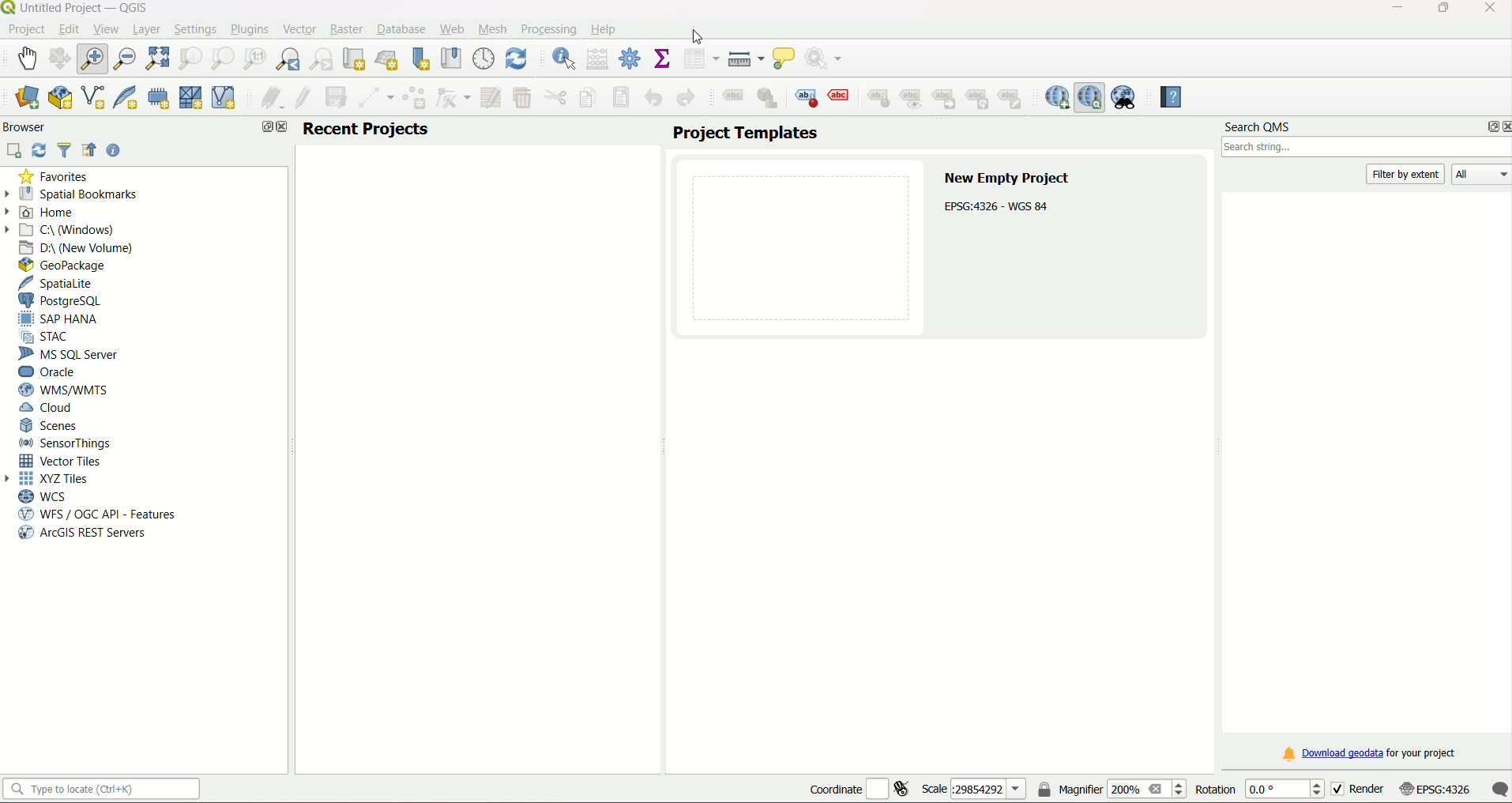 The height and width of the screenshot is (803, 1512). What do you see at coordinates (65, 300) in the screenshot?
I see `PostGre SQL` at bounding box center [65, 300].